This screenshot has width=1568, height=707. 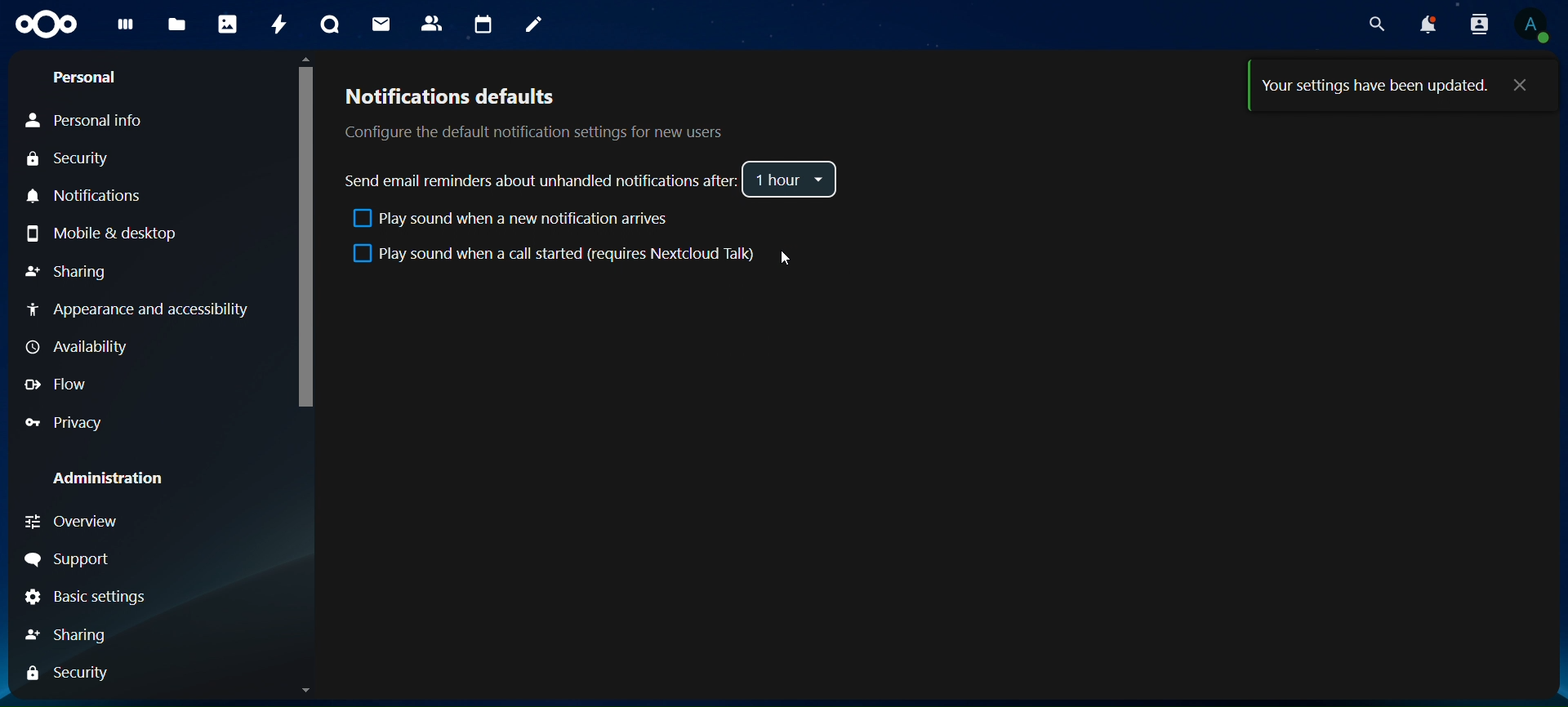 What do you see at coordinates (481, 23) in the screenshot?
I see `calendar` at bounding box center [481, 23].